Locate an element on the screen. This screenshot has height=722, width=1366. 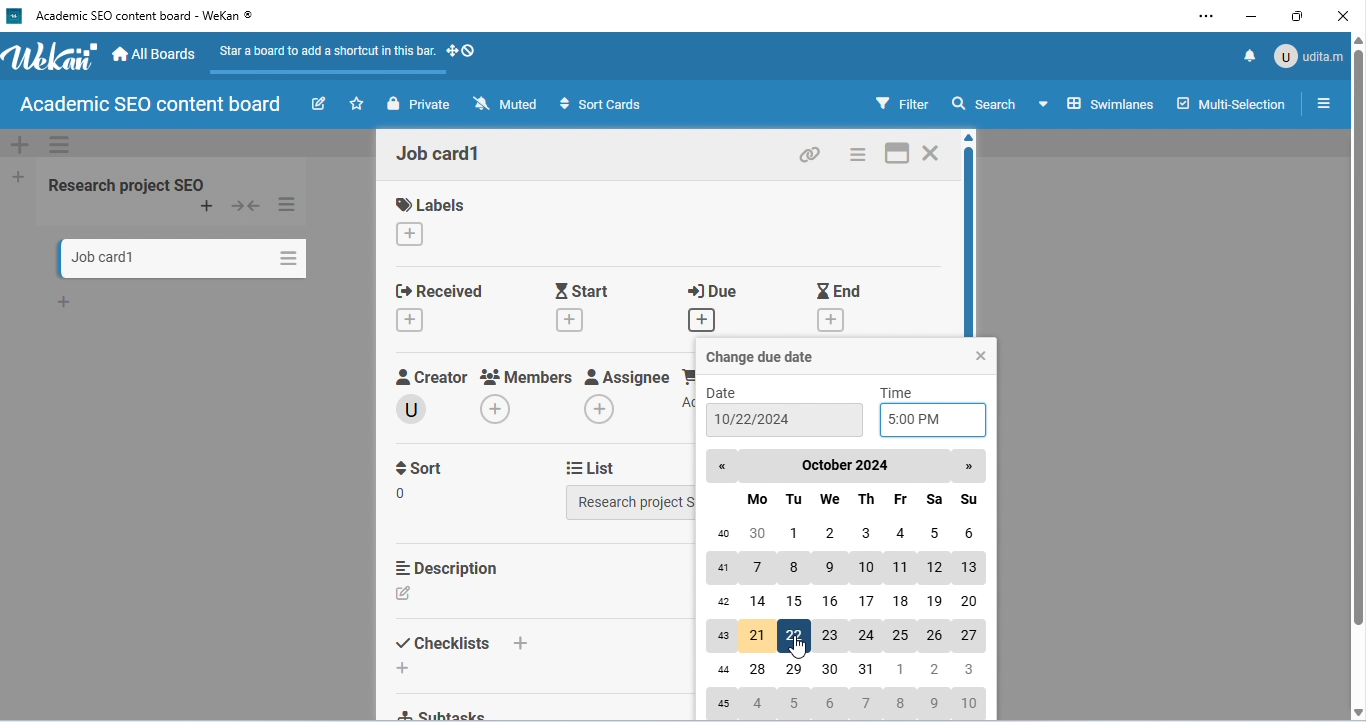
change due date is located at coordinates (762, 356).